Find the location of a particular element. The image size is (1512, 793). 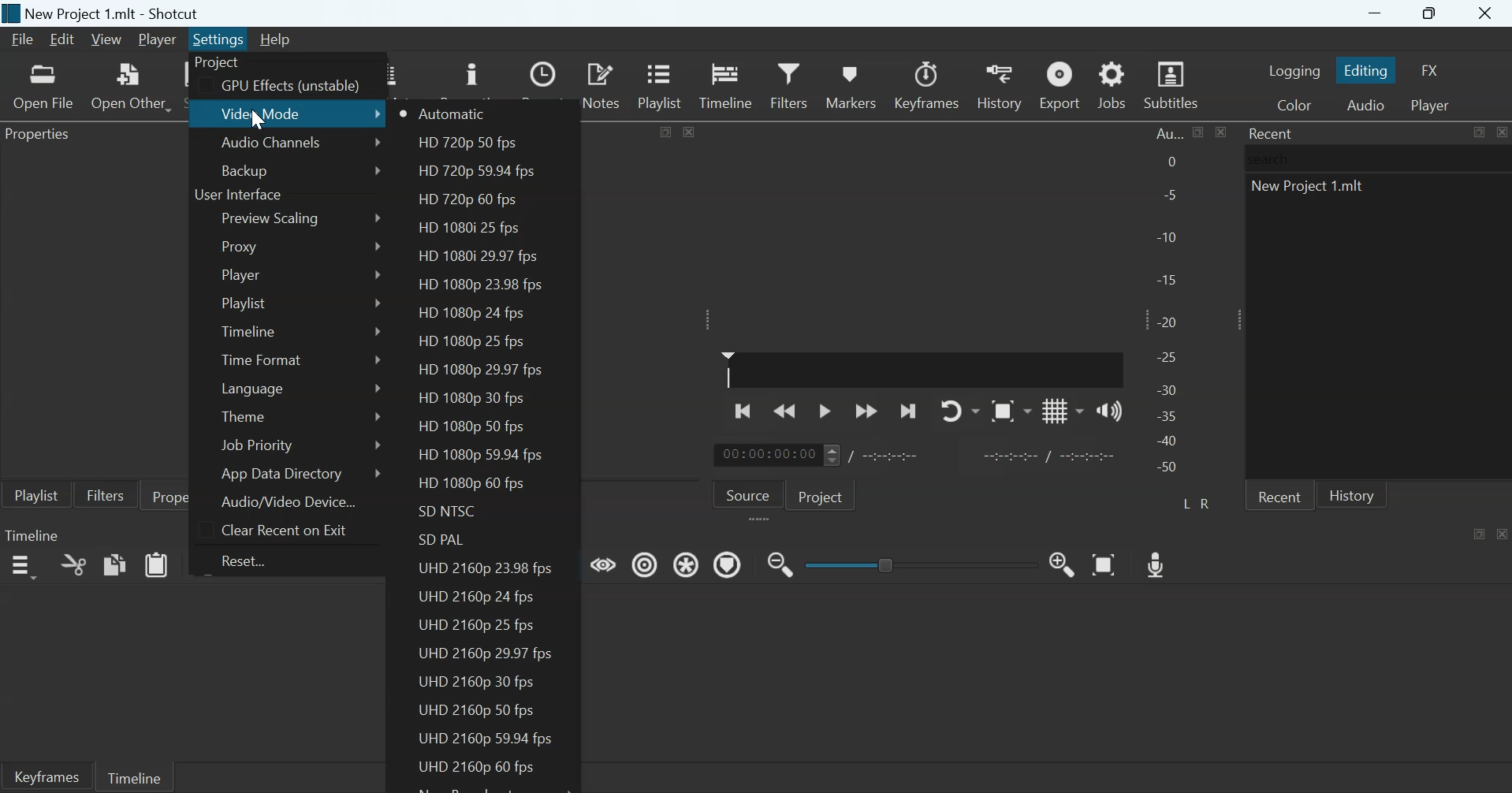

expand is located at coordinates (762, 520).